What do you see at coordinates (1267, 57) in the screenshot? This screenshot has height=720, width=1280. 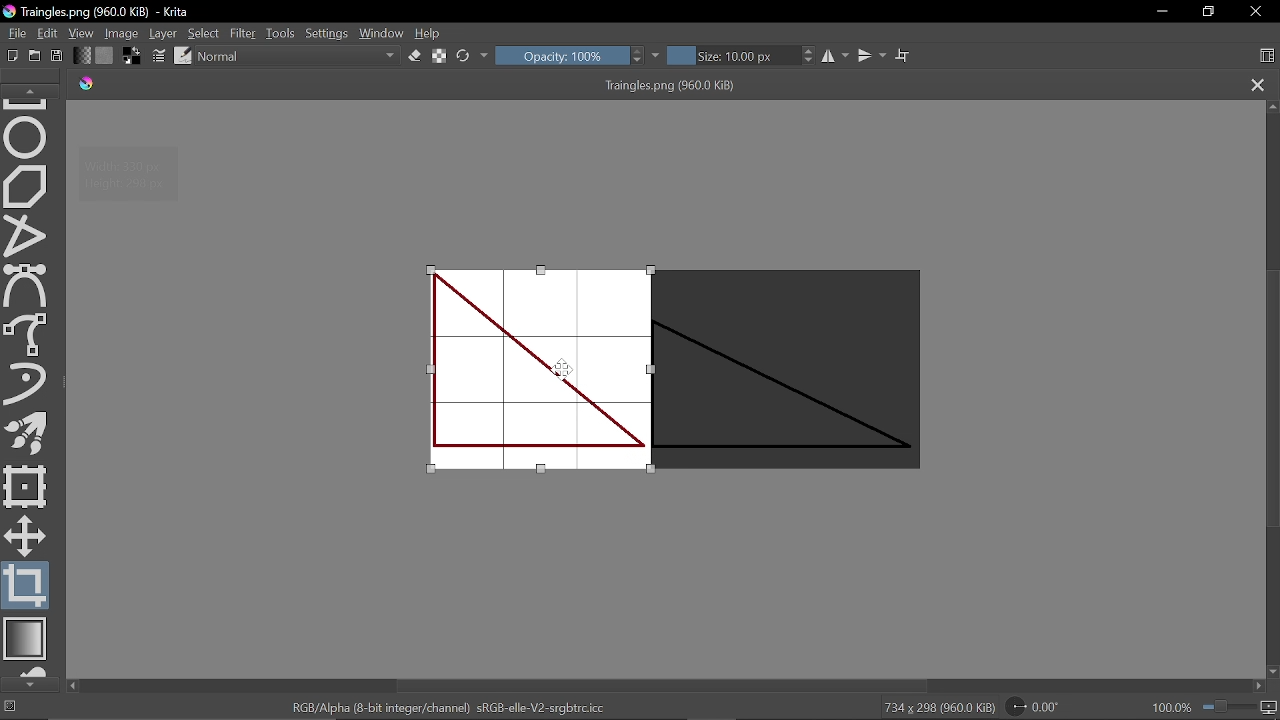 I see `Choose workspace` at bounding box center [1267, 57].